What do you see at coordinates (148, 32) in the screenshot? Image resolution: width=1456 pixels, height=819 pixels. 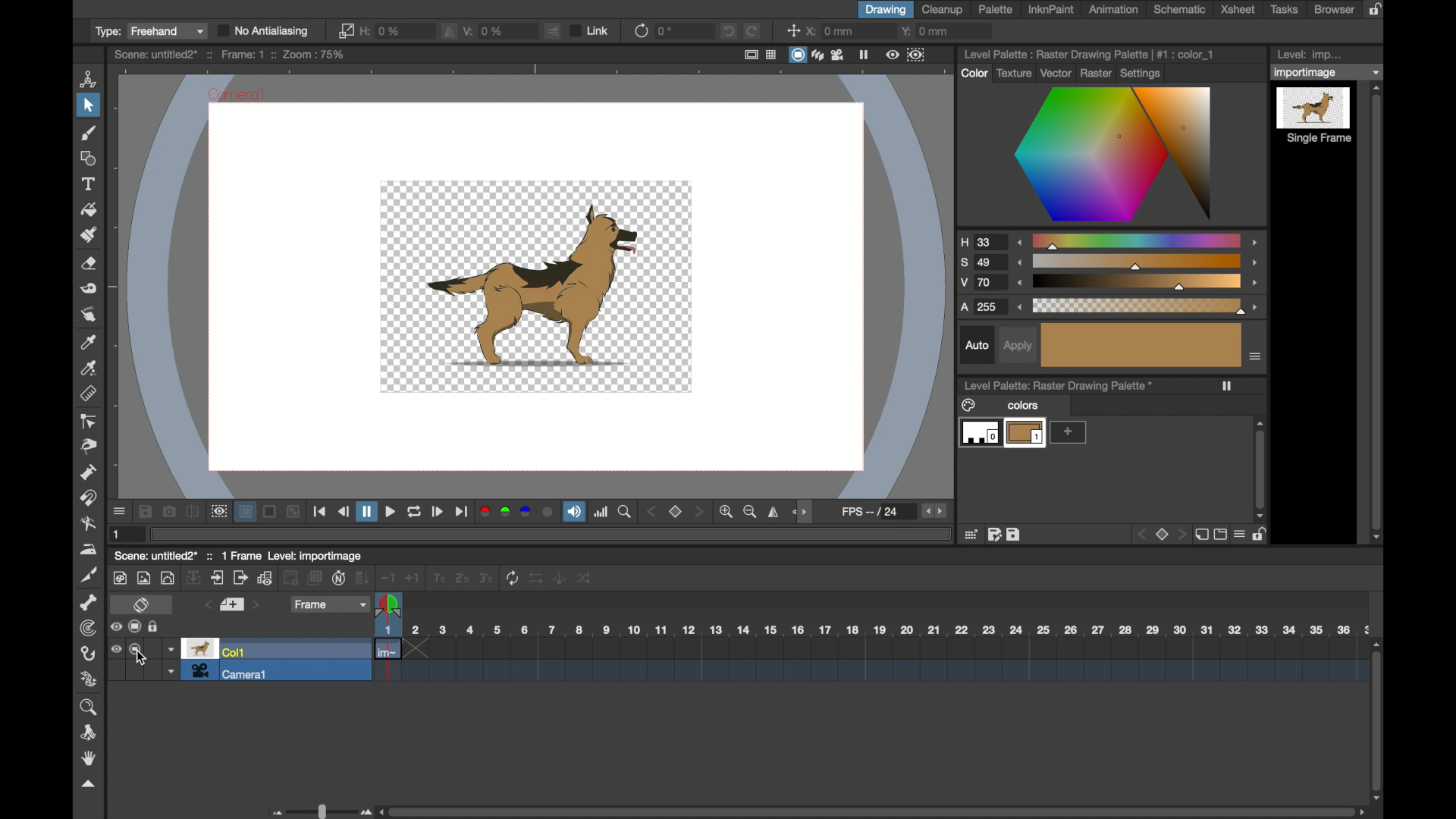 I see `type` at bounding box center [148, 32].